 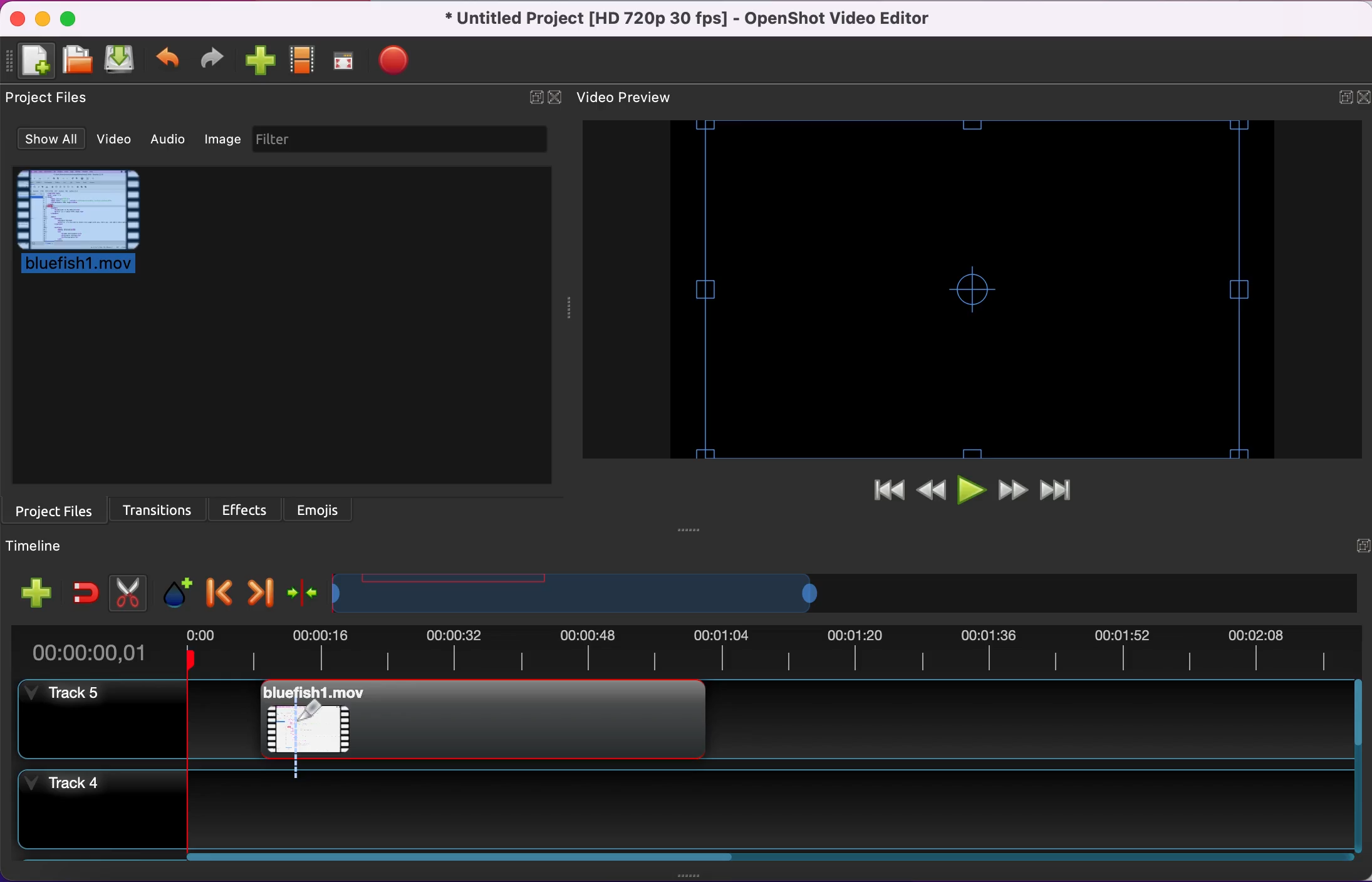 I want to click on new project, so click(x=34, y=61).